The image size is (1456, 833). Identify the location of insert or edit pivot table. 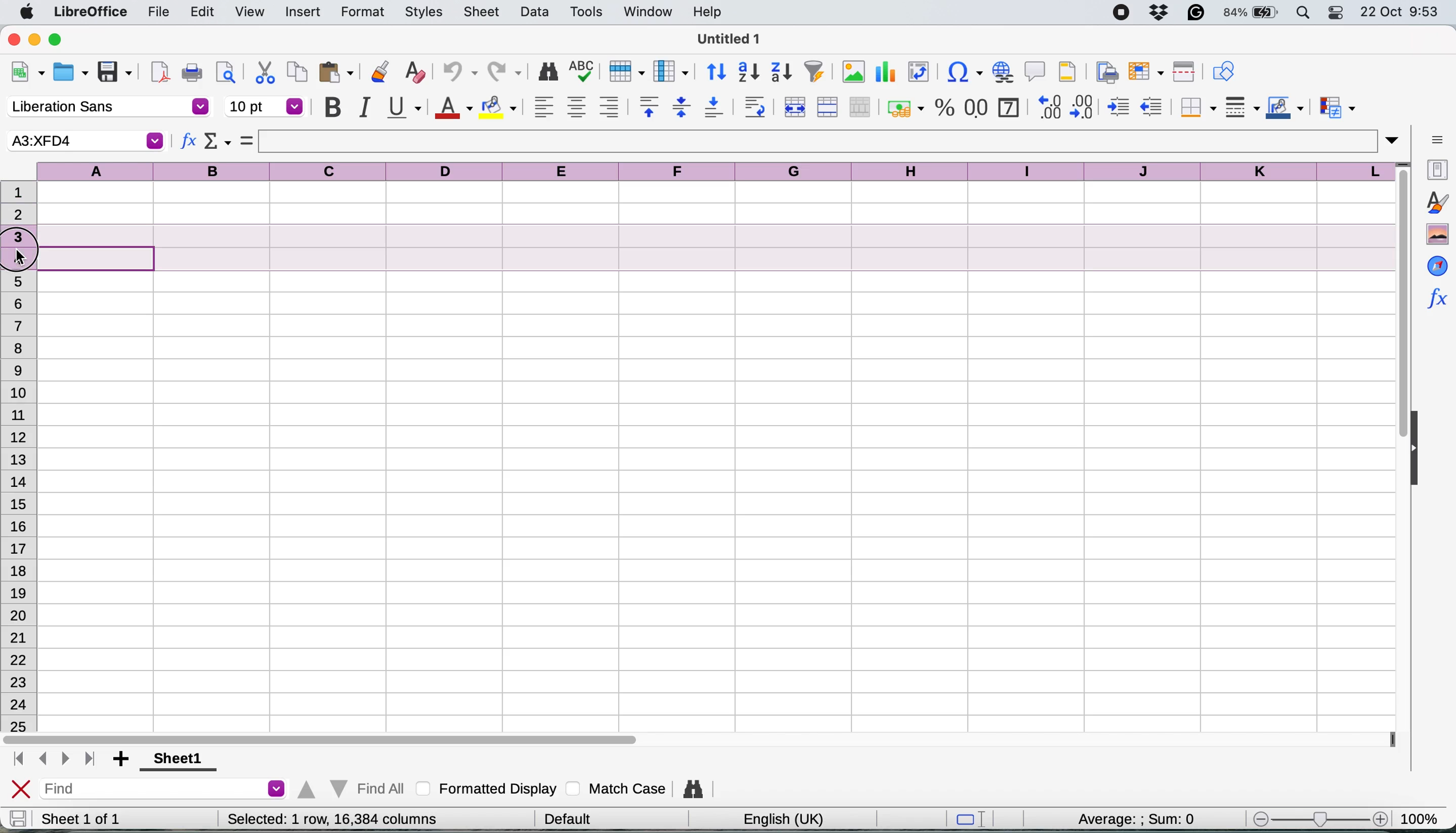
(915, 72).